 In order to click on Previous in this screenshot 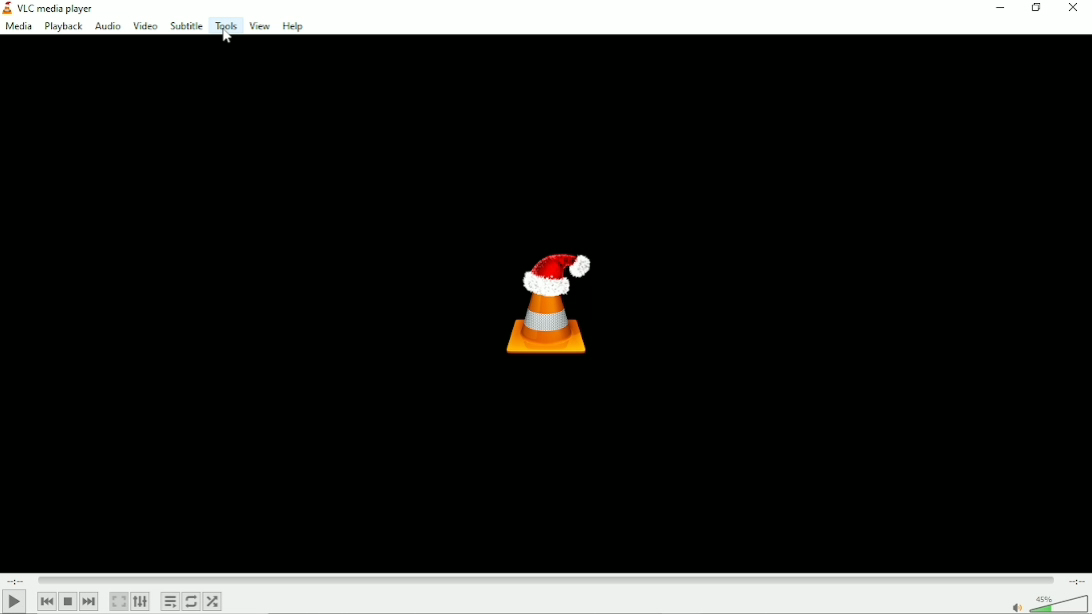, I will do `click(47, 602)`.